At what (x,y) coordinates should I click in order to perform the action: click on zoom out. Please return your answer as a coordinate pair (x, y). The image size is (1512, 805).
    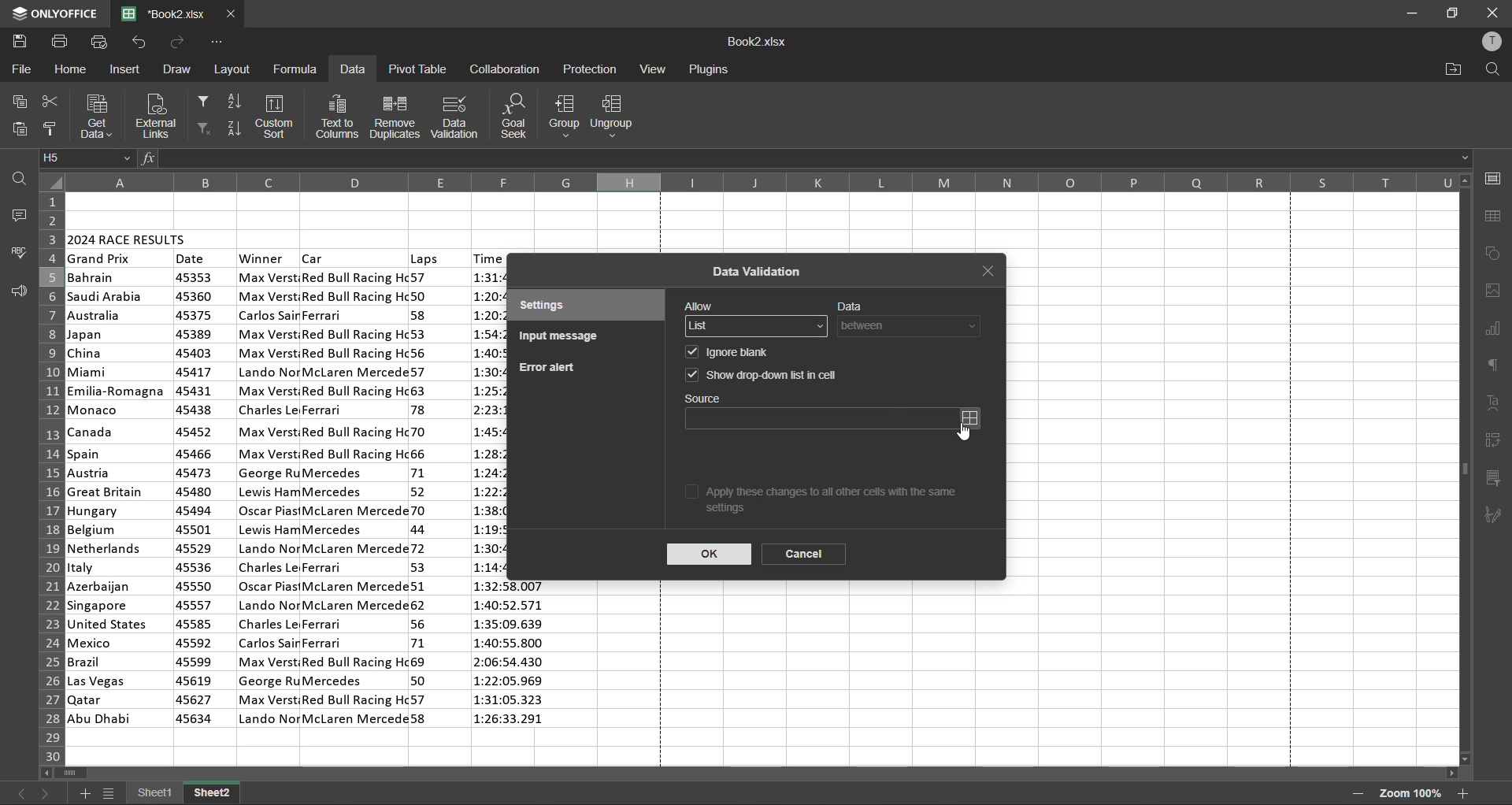
    Looking at the image, I should click on (1356, 794).